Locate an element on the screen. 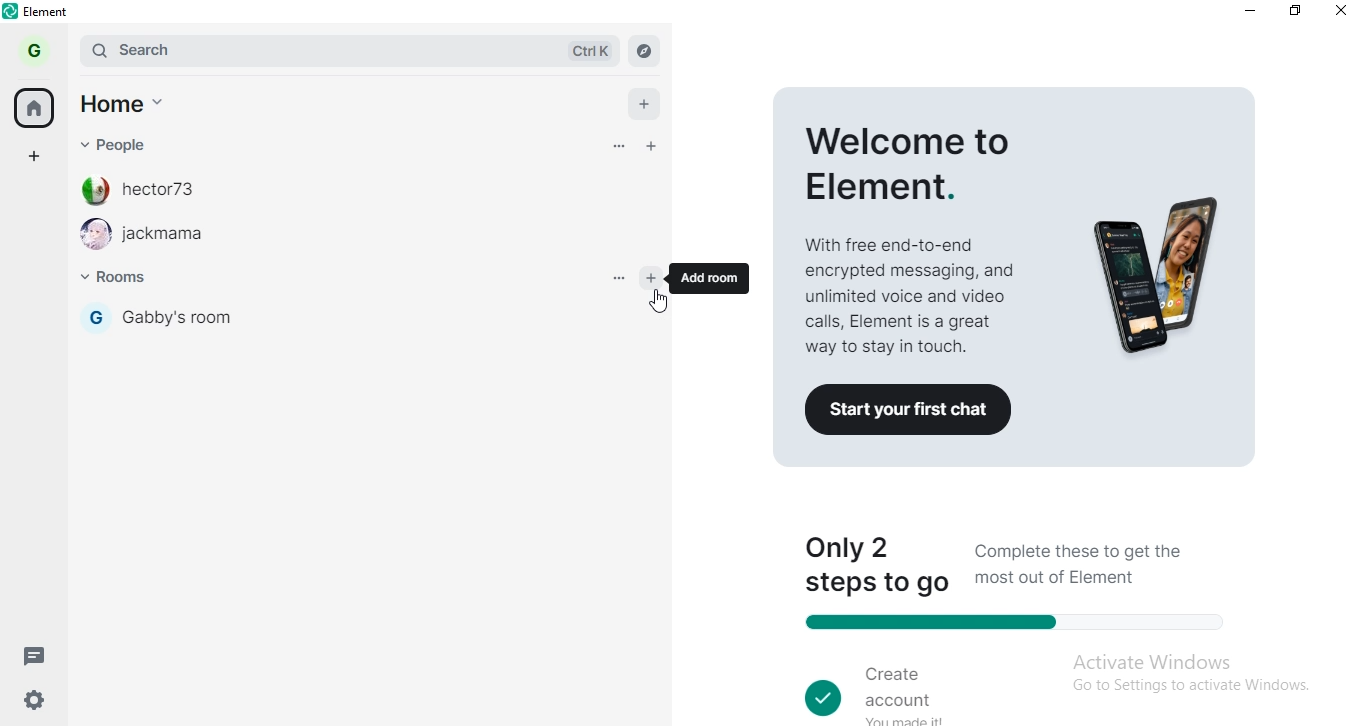 This screenshot has width=1366, height=726. only 2 steps to go is located at coordinates (879, 560).